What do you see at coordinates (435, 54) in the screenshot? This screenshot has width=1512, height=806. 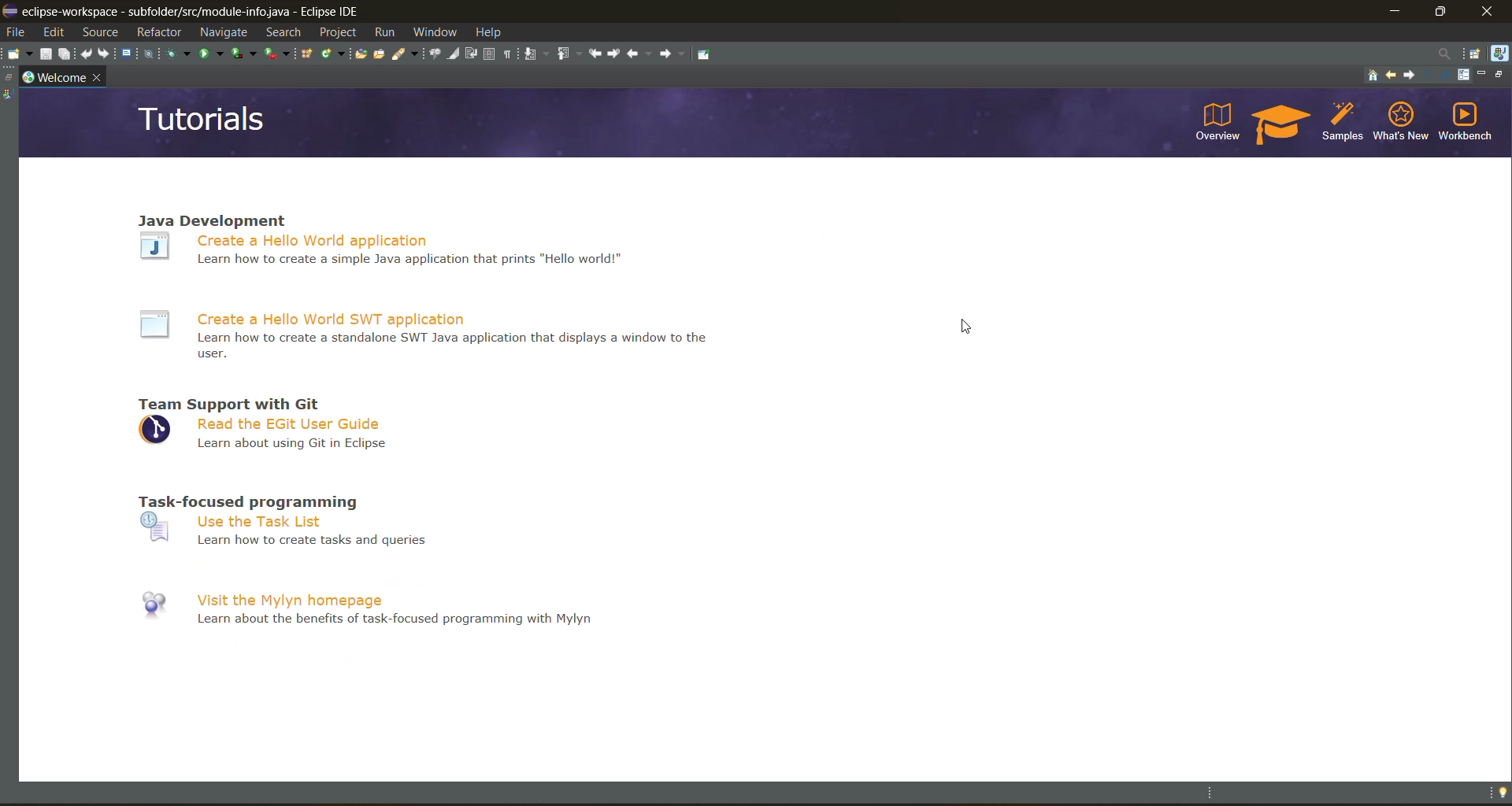 I see `toggle java editor breadcrumb` at bounding box center [435, 54].